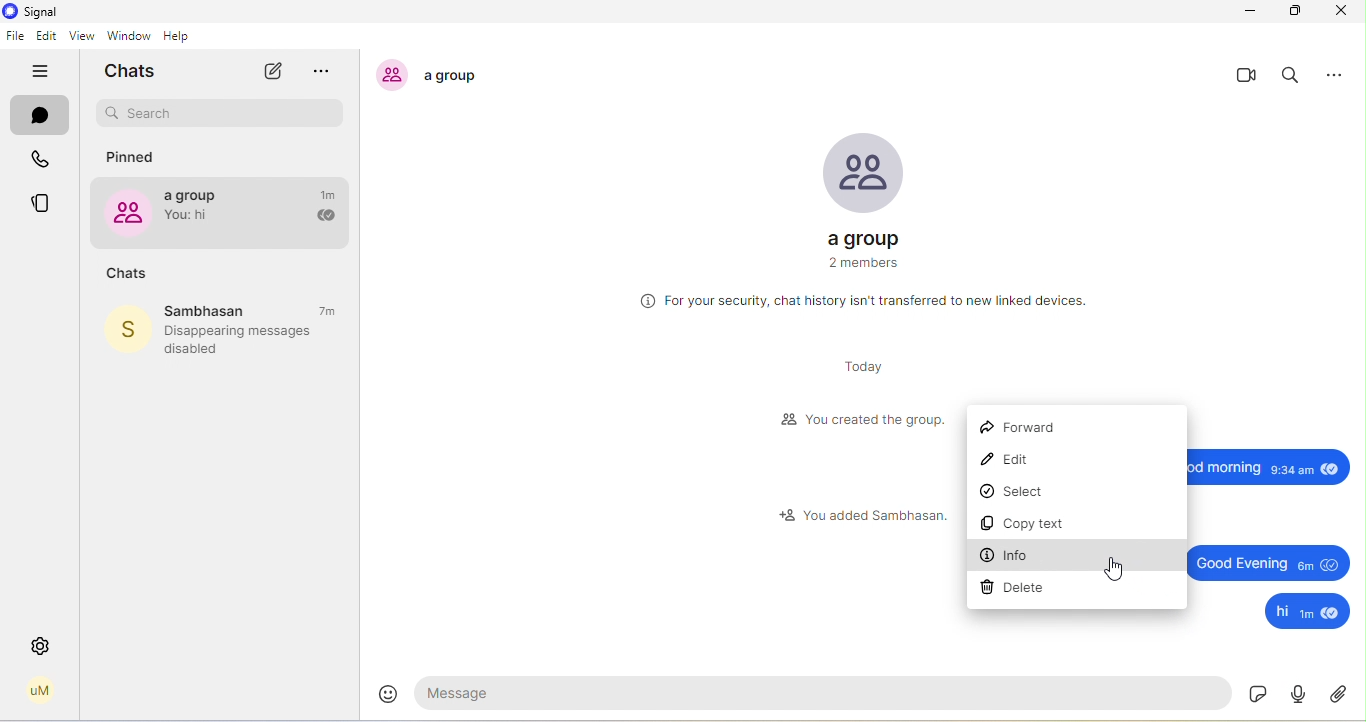  Describe the element at coordinates (828, 692) in the screenshot. I see `message` at that location.